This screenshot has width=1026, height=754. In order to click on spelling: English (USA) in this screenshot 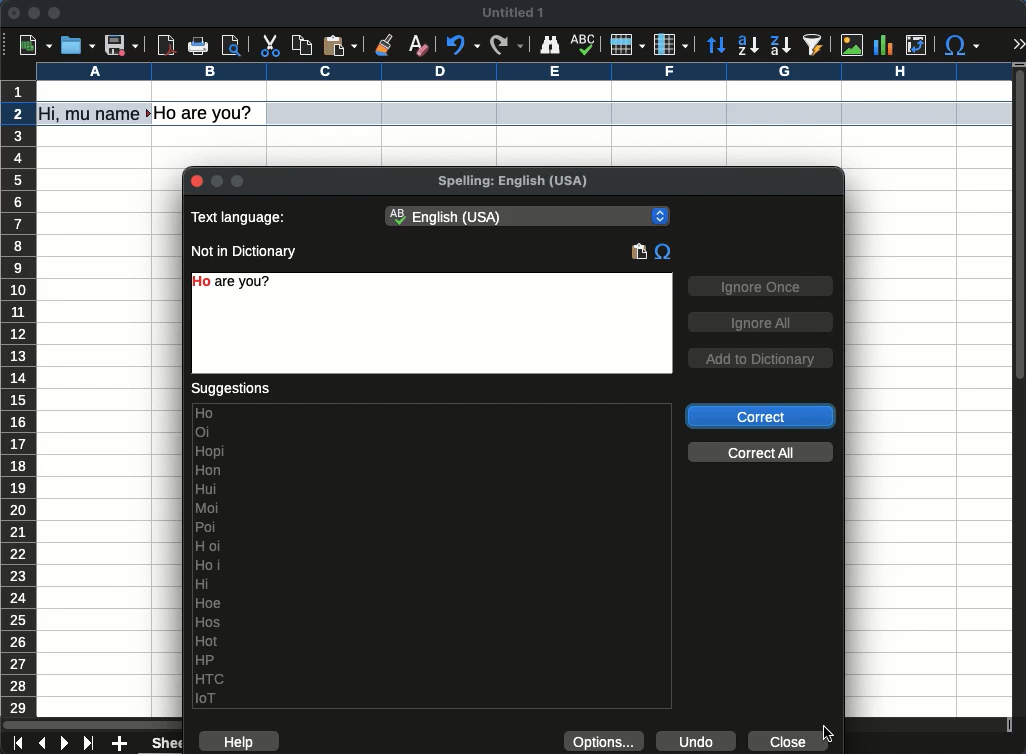, I will do `click(511, 183)`.